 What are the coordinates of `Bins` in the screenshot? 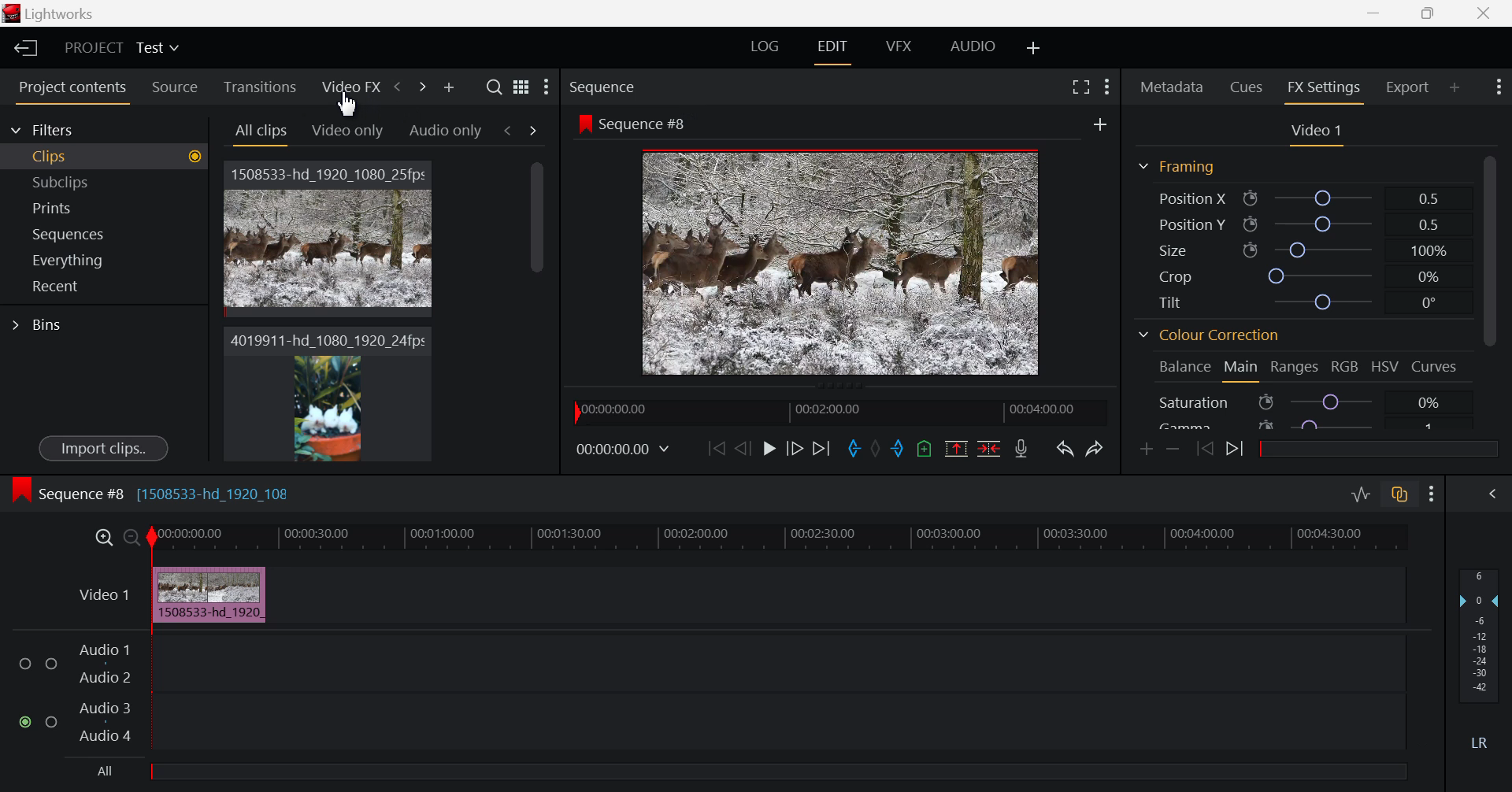 It's located at (82, 326).